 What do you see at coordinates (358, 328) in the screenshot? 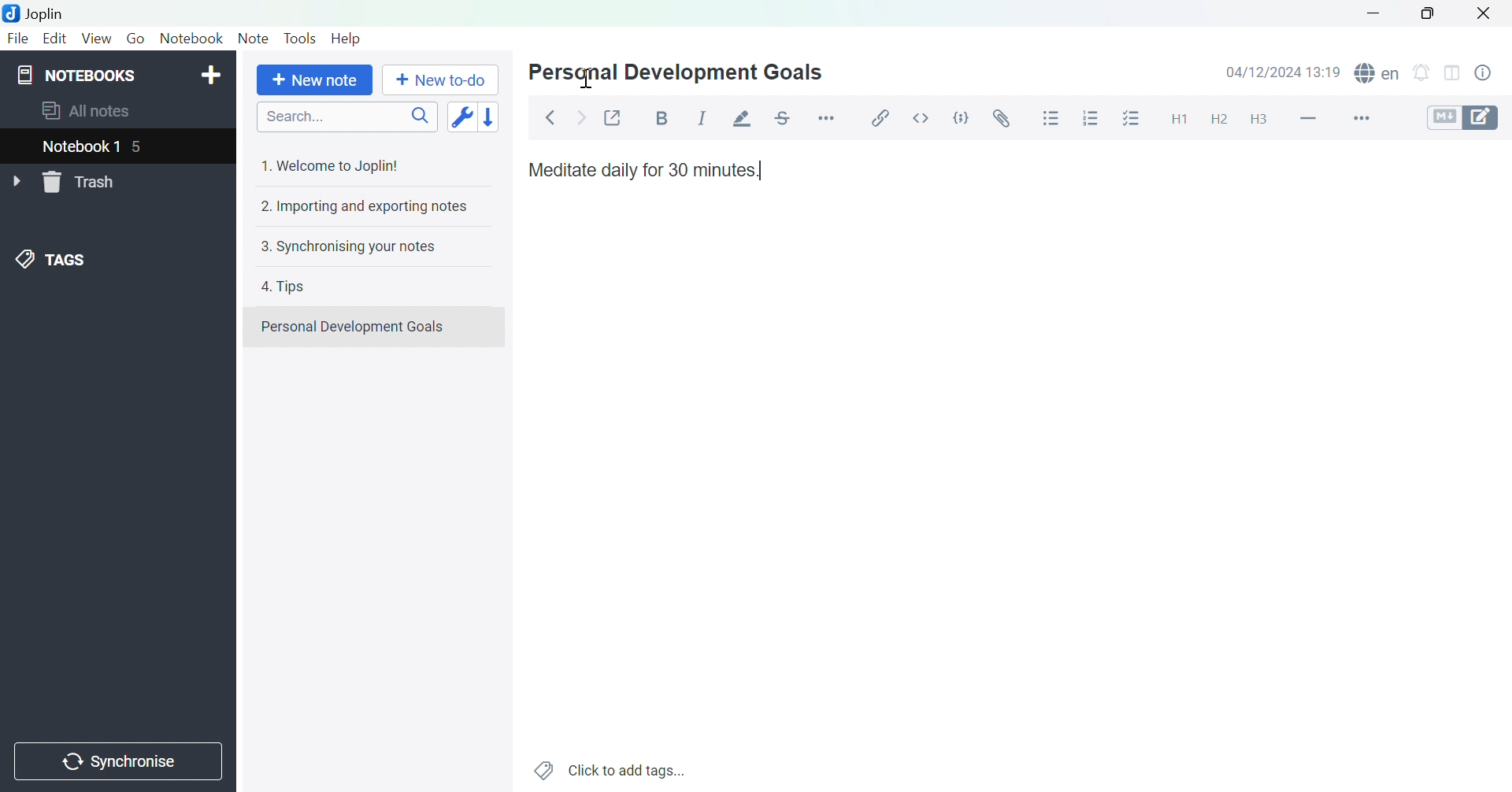
I see `Personal Development Goals` at bounding box center [358, 328].